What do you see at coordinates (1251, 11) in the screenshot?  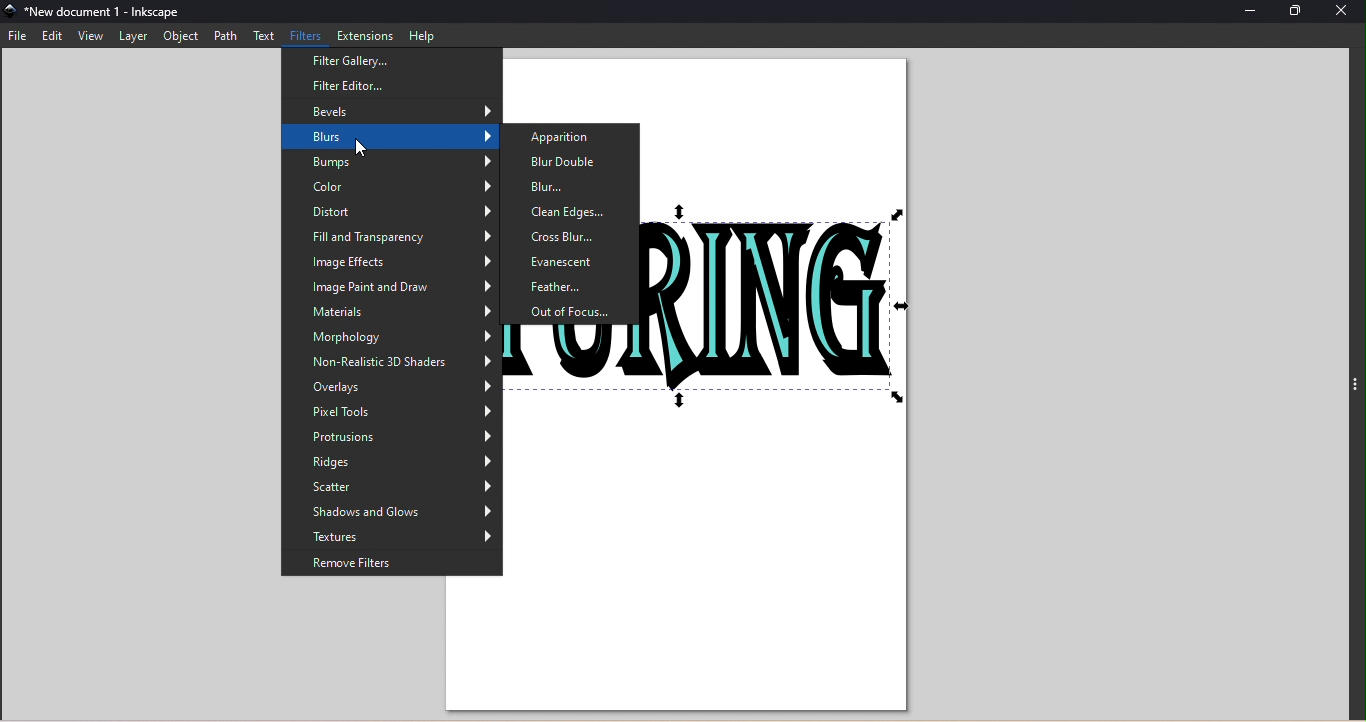 I see `Minimize` at bounding box center [1251, 11].